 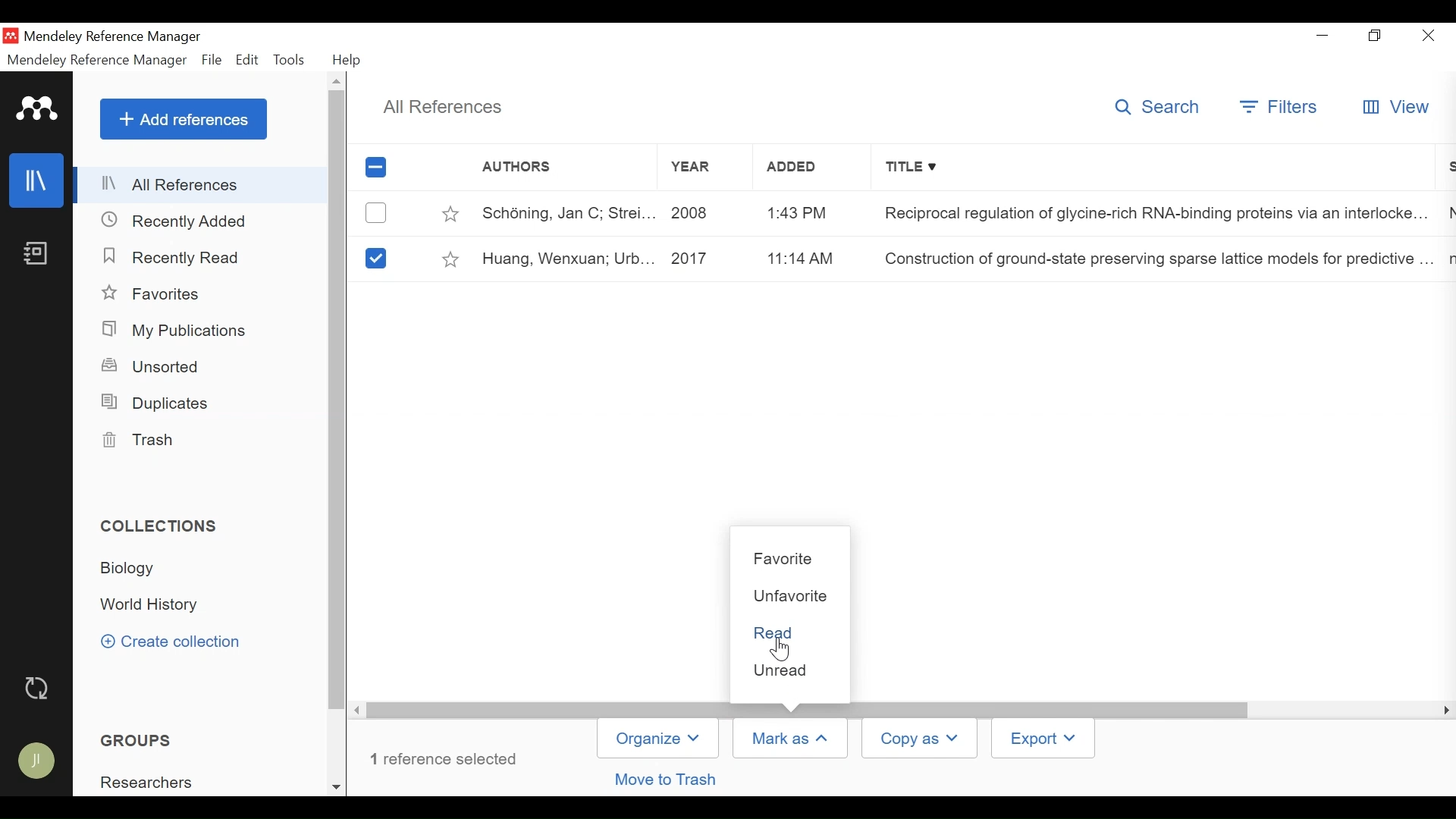 What do you see at coordinates (11, 37) in the screenshot?
I see `Mendeley Desktop Icon` at bounding box center [11, 37].